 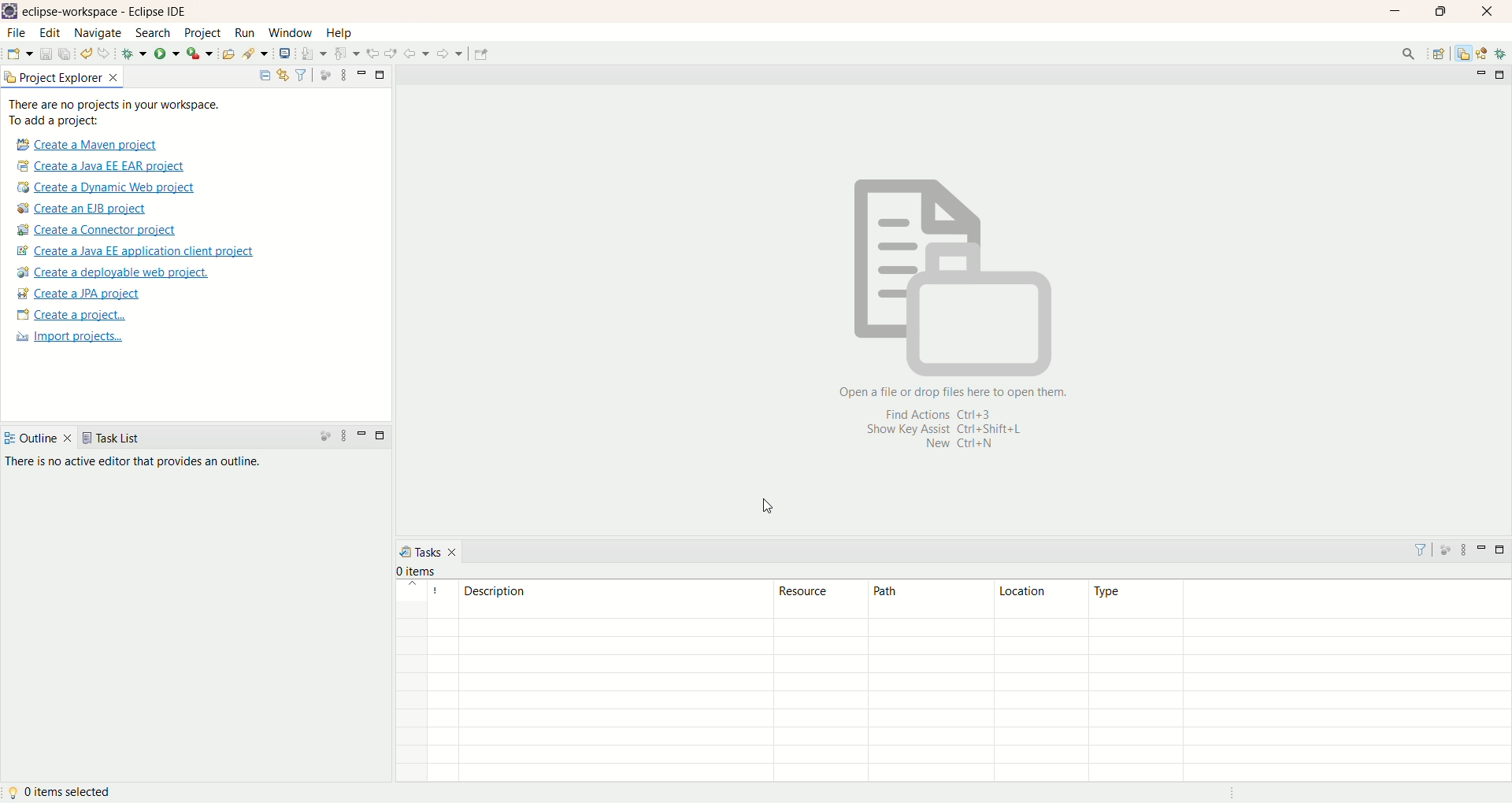 I want to click on location, so click(x=1042, y=680).